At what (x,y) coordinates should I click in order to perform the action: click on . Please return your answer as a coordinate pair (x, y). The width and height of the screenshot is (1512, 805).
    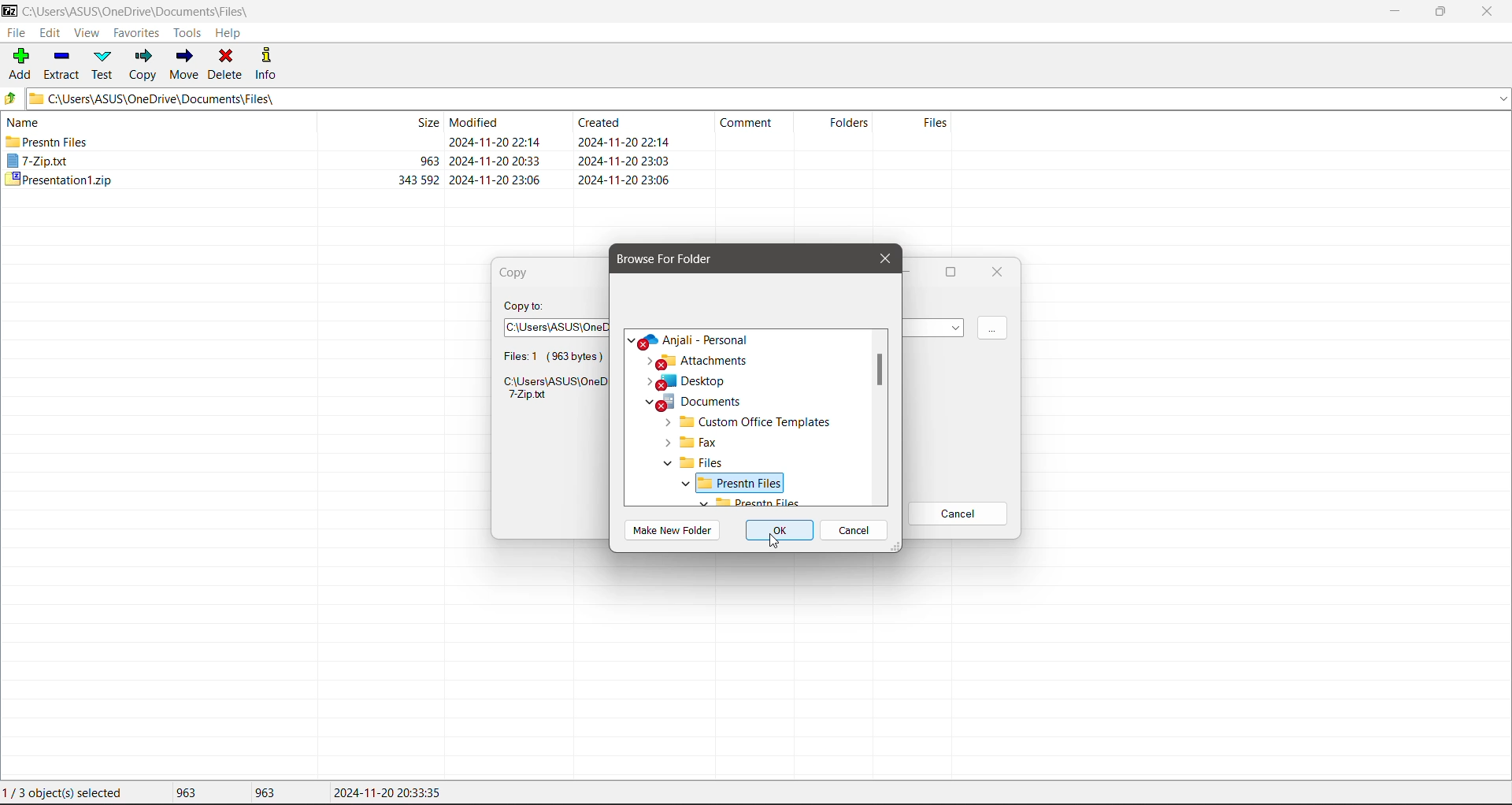
    Looking at the image, I should click on (728, 502).